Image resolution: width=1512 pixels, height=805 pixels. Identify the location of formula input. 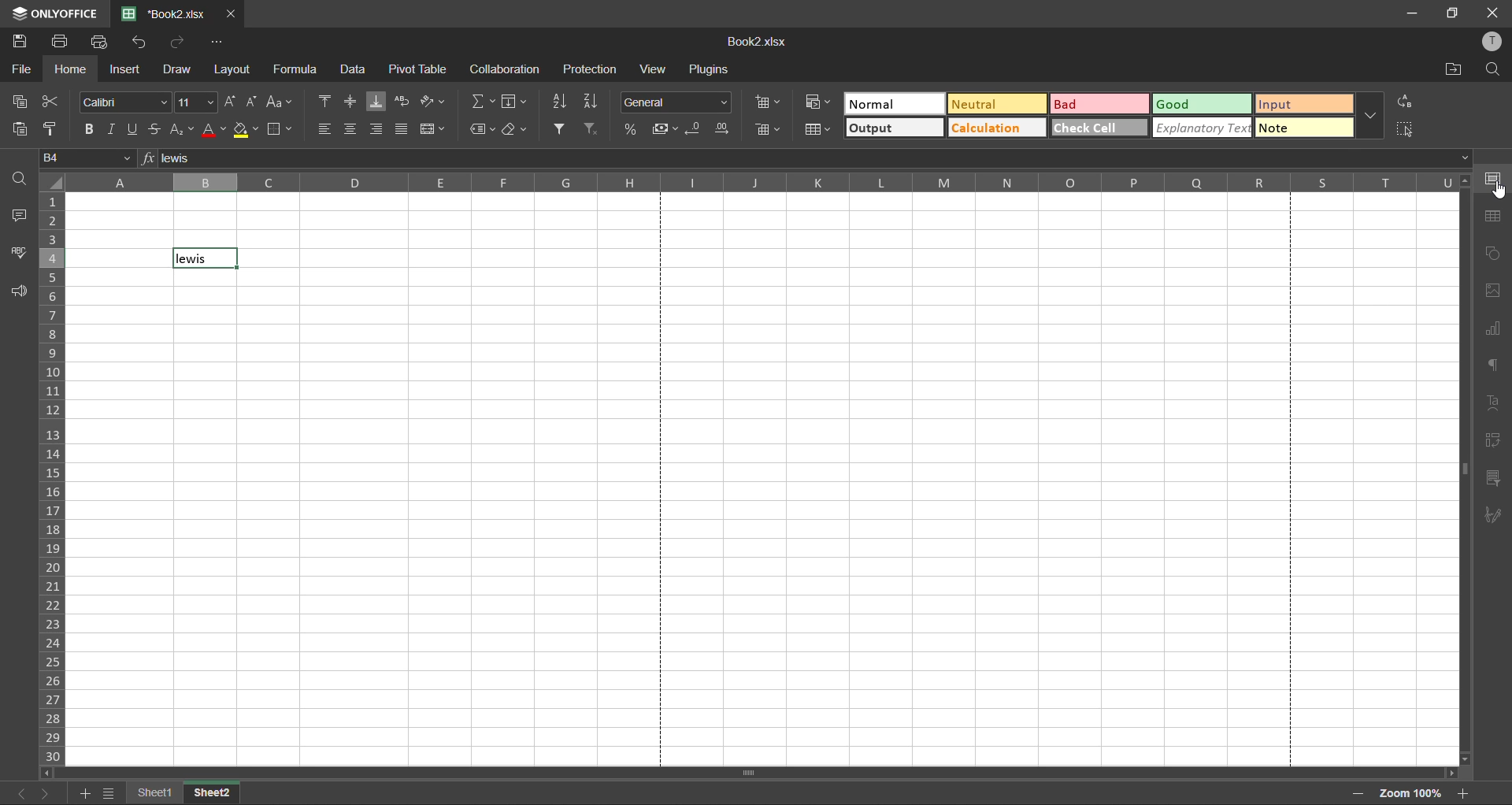
(145, 160).